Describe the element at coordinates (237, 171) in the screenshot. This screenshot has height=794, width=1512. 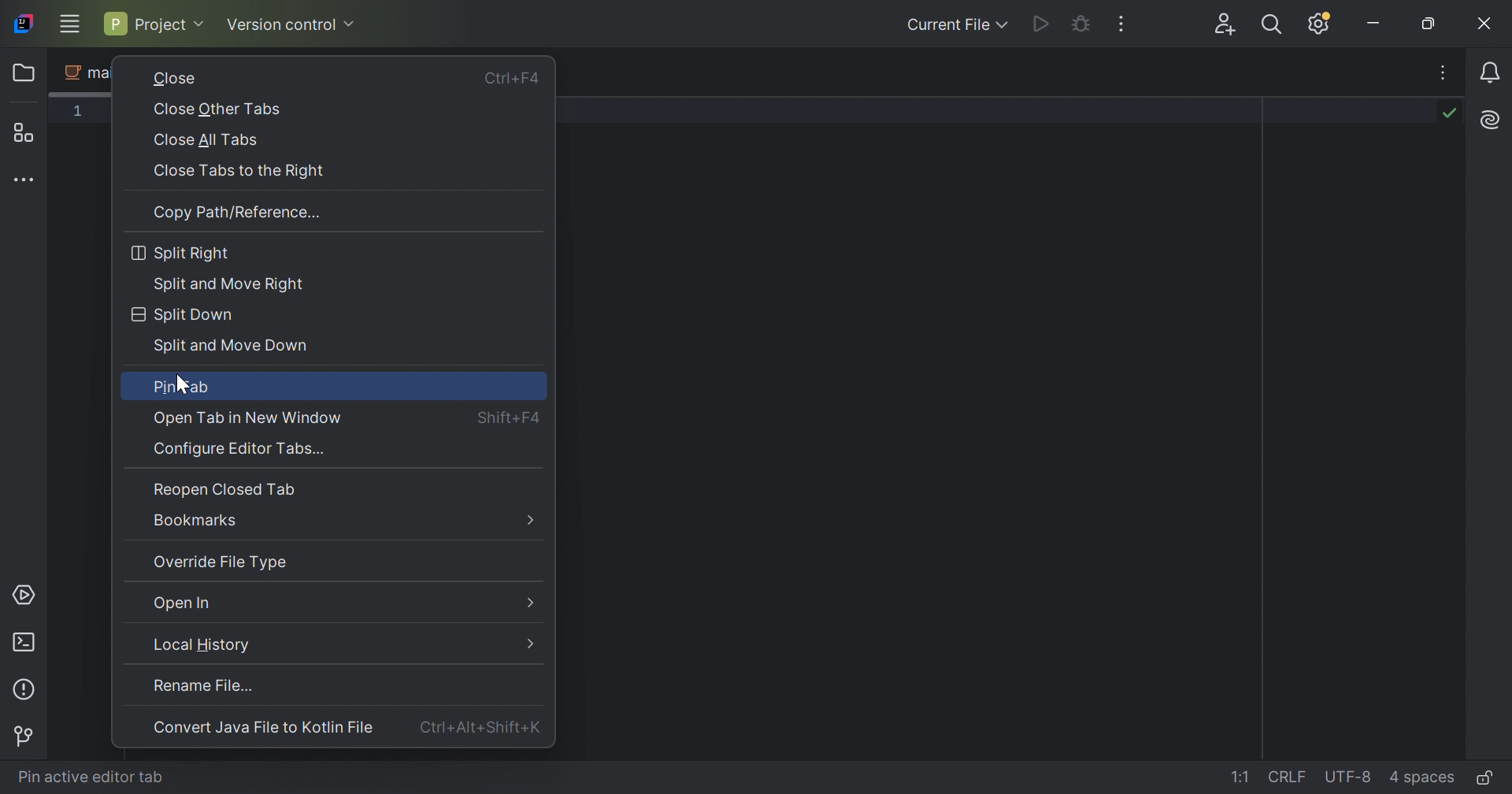
I see `Close tabs to the right` at that location.